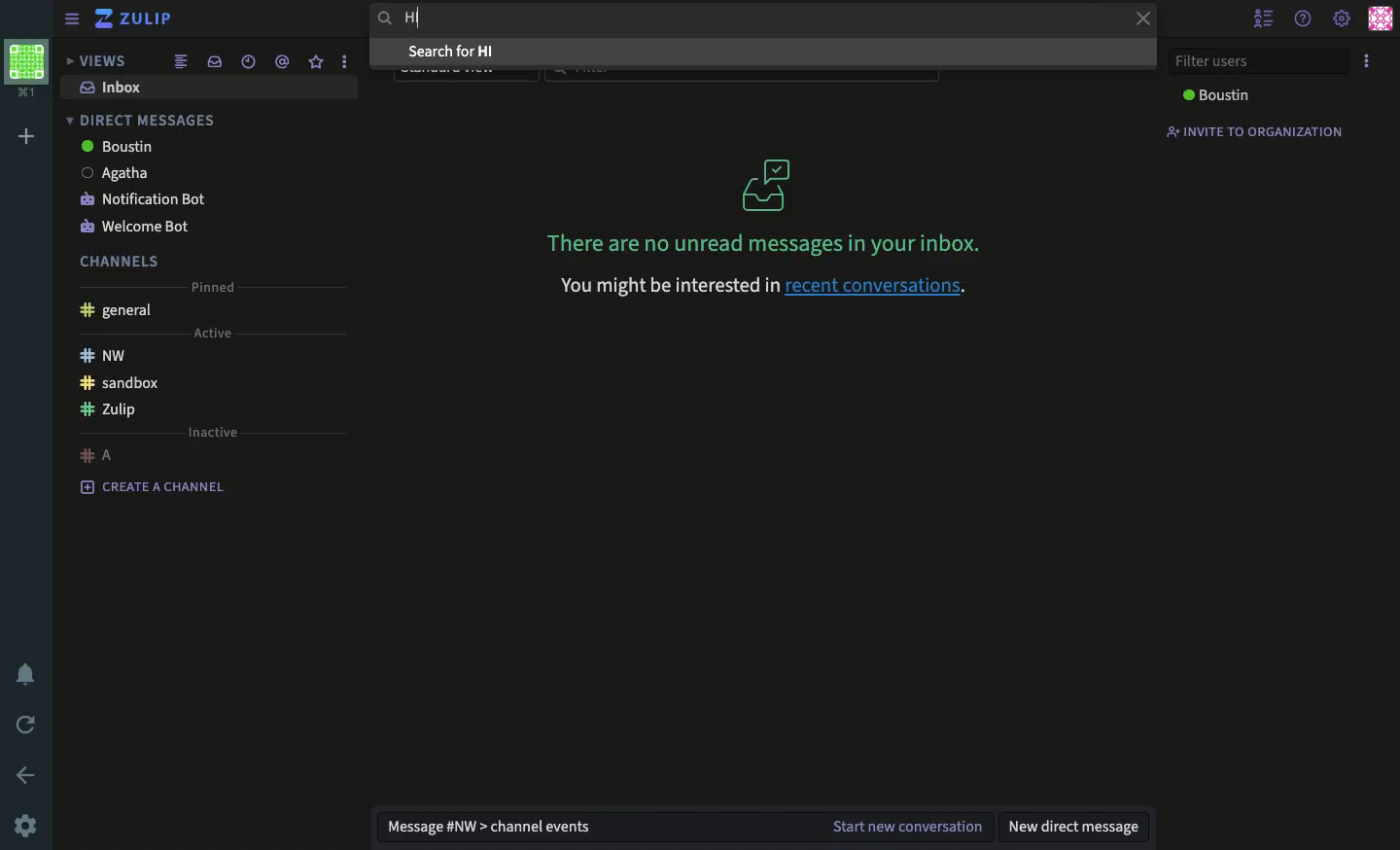 This screenshot has height=850, width=1400. What do you see at coordinates (29, 826) in the screenshot?
I see `settings` at bounding box center [29, 826].